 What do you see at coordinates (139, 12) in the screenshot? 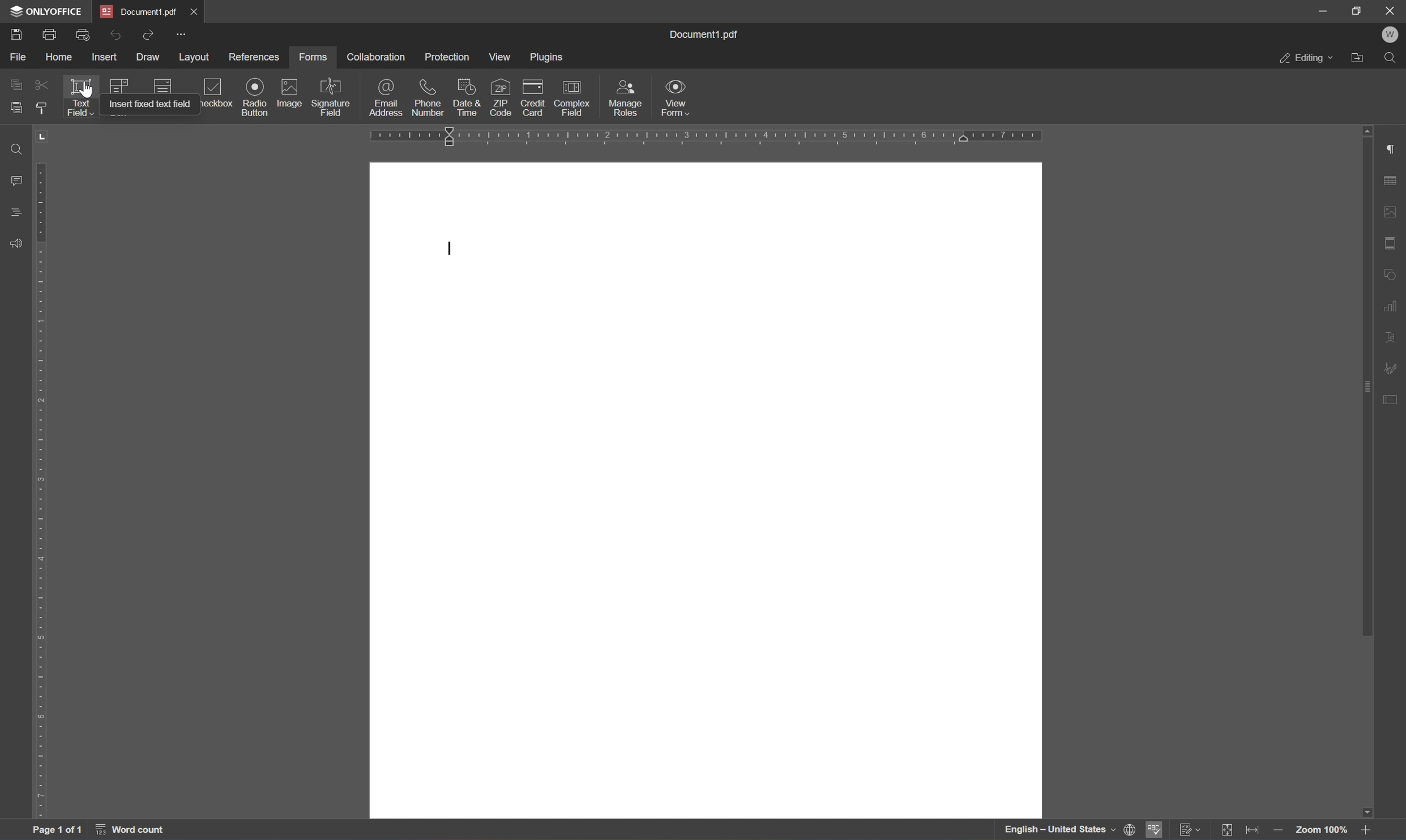
I see `doxument1.pdf` at bounding box center [139, 12].